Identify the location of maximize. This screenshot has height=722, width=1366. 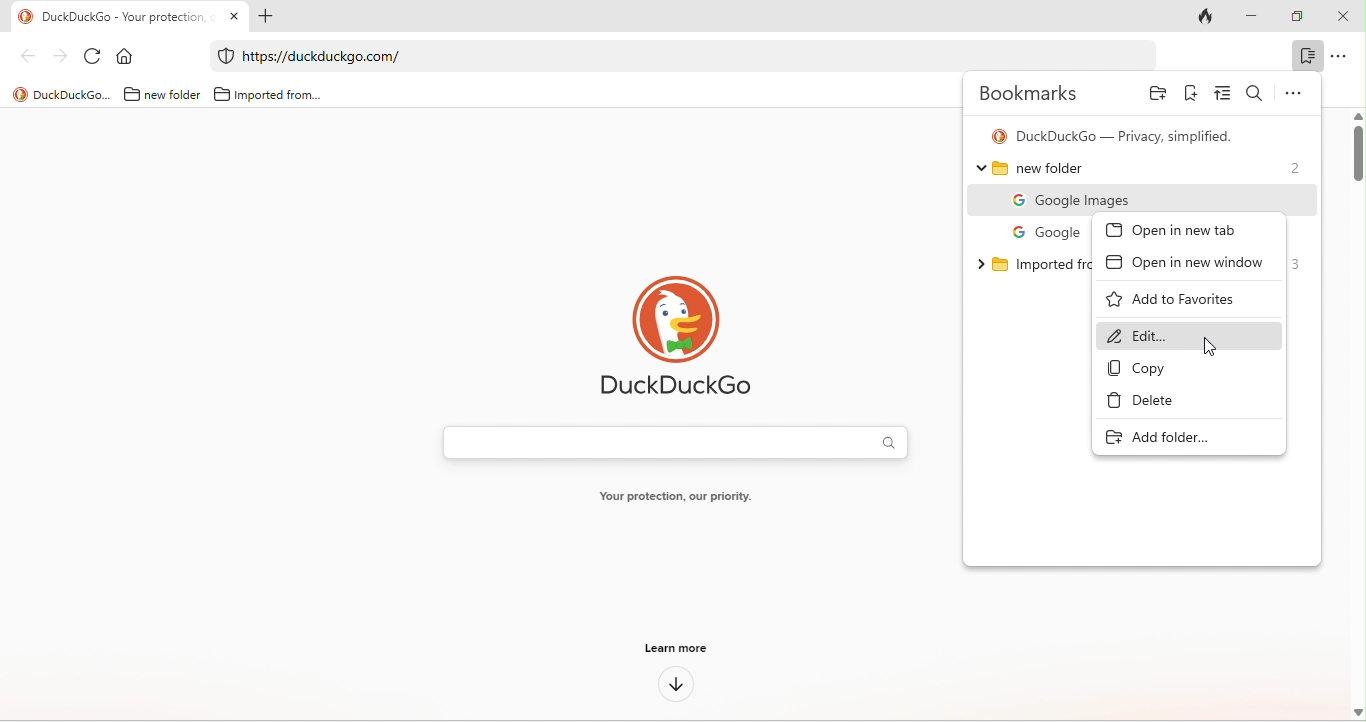
(1301, 17).